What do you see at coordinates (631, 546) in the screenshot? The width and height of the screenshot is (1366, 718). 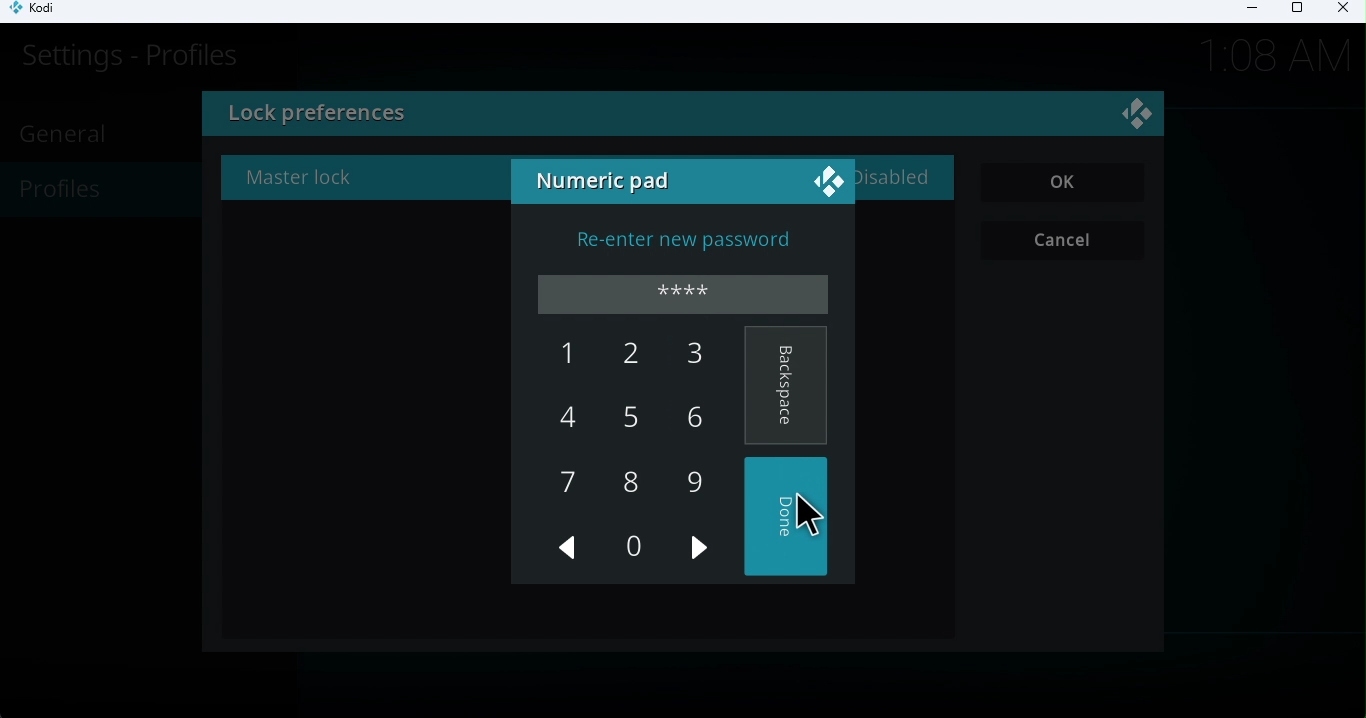 I see `0` at bounding box center [631, 546].